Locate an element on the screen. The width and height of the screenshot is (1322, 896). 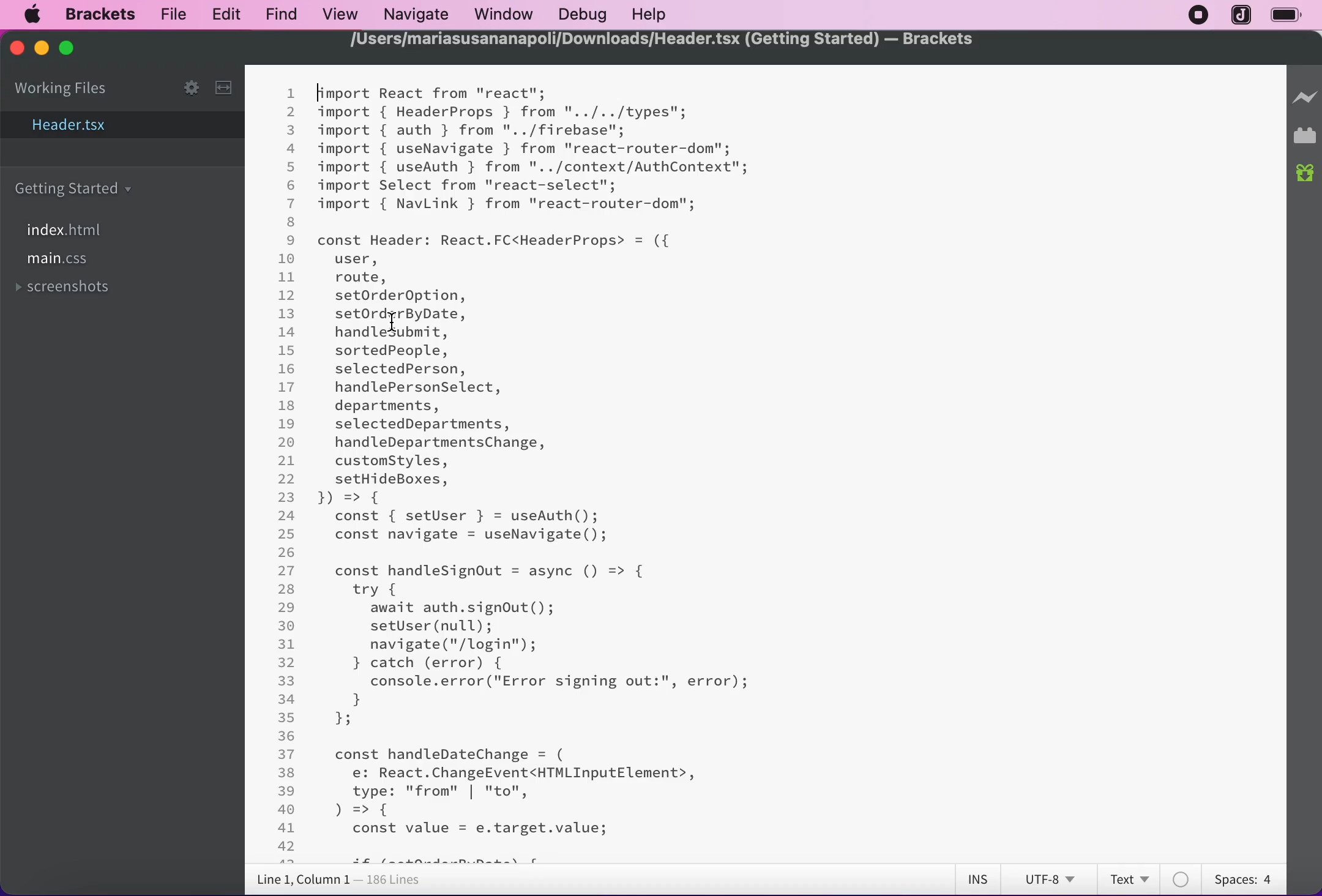
settings is located at coordinates (190, 85).